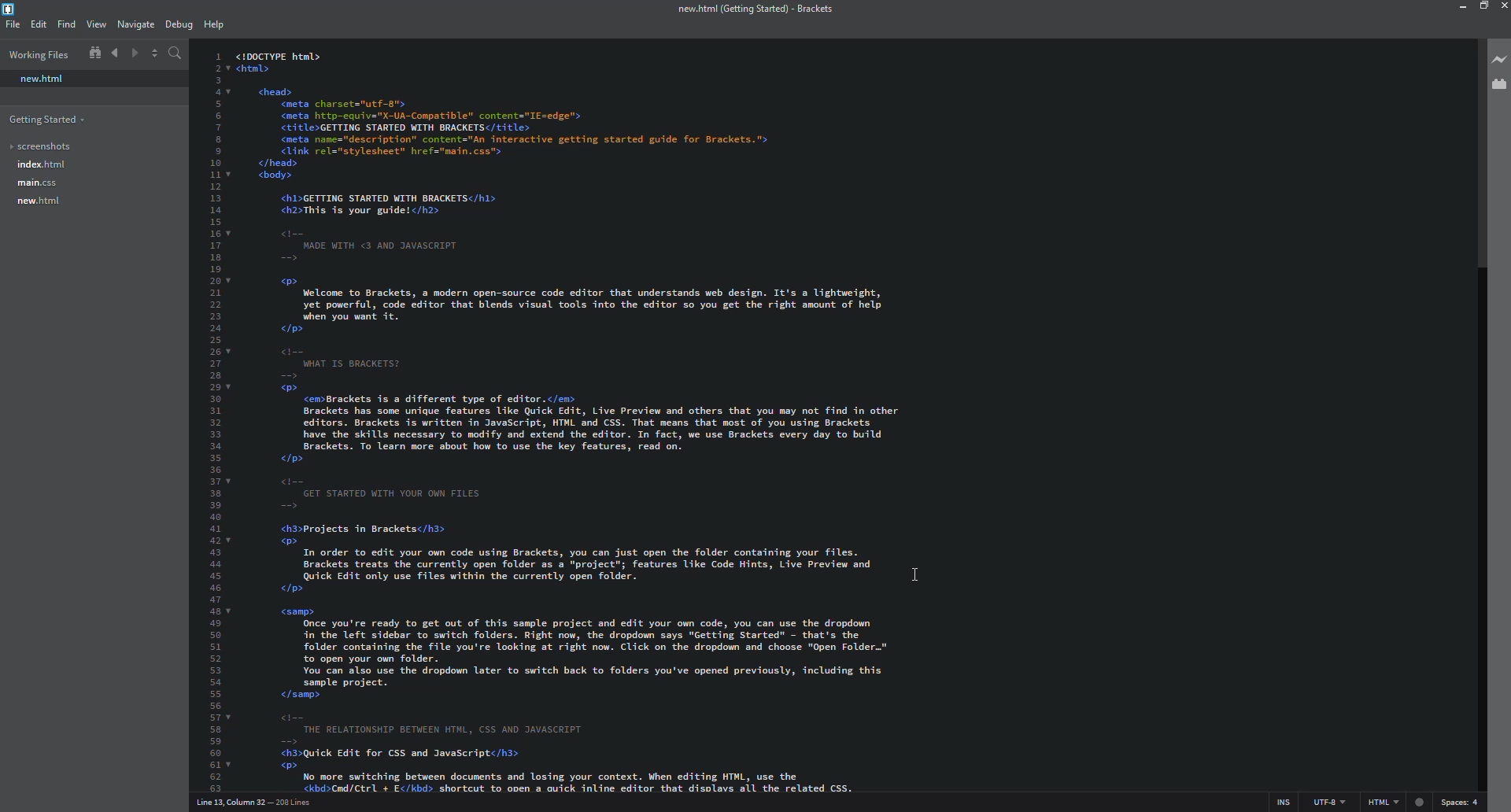  I want to click on spaces, so click(1457, 802).